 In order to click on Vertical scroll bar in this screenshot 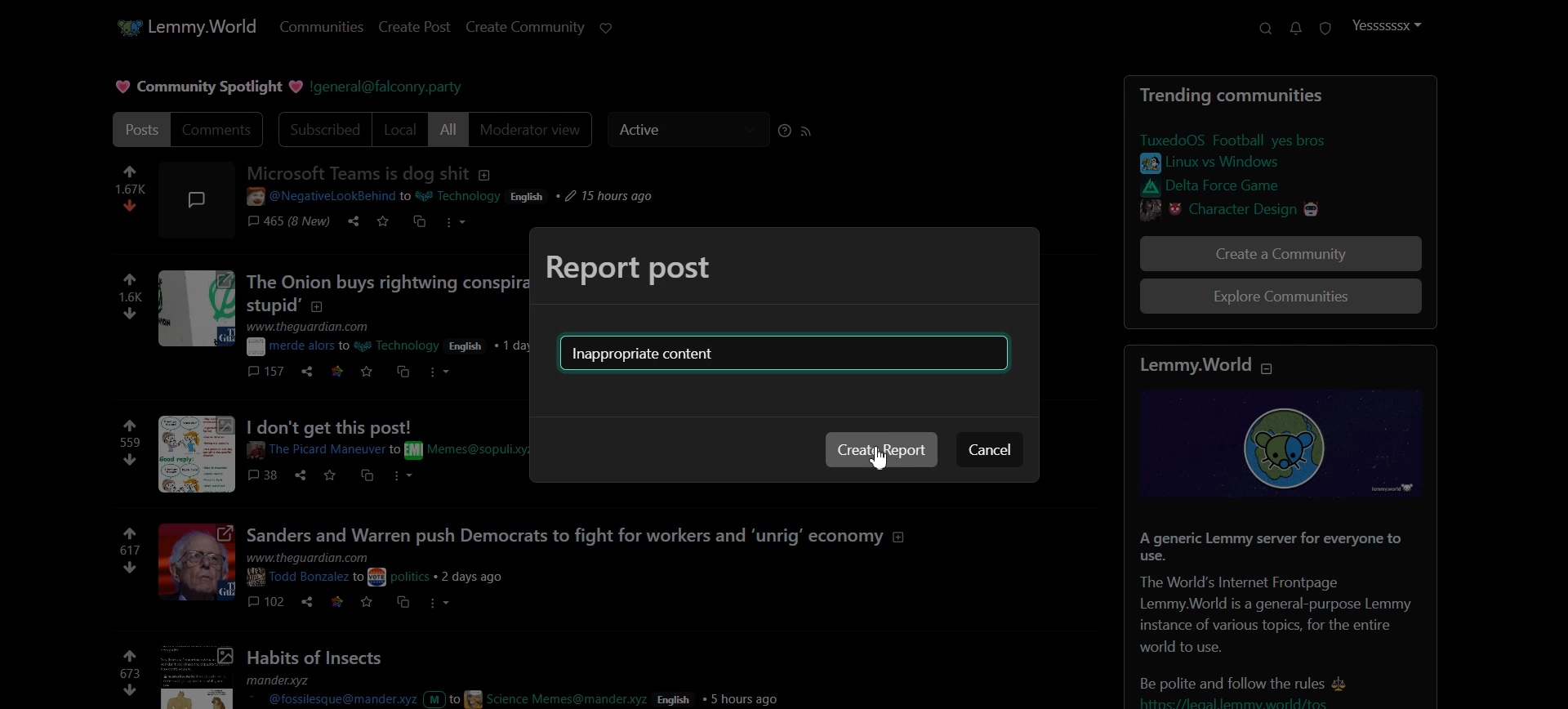, I will do `click(1557, 354)`.